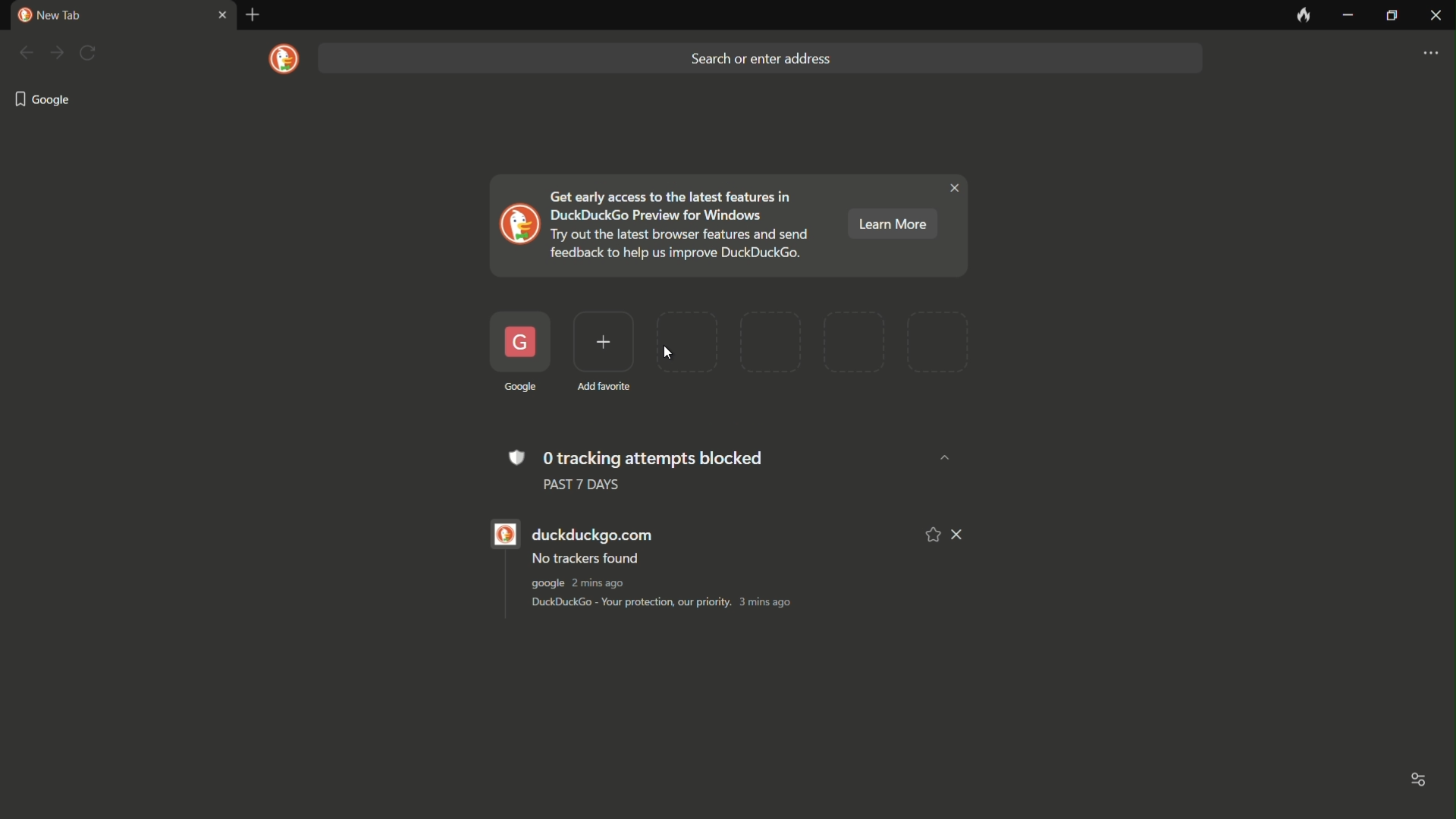 This screenshot has height=819, width=1456. Describe the element at coordinates (56, 54) in the screenshot. I see `forward` at that location.